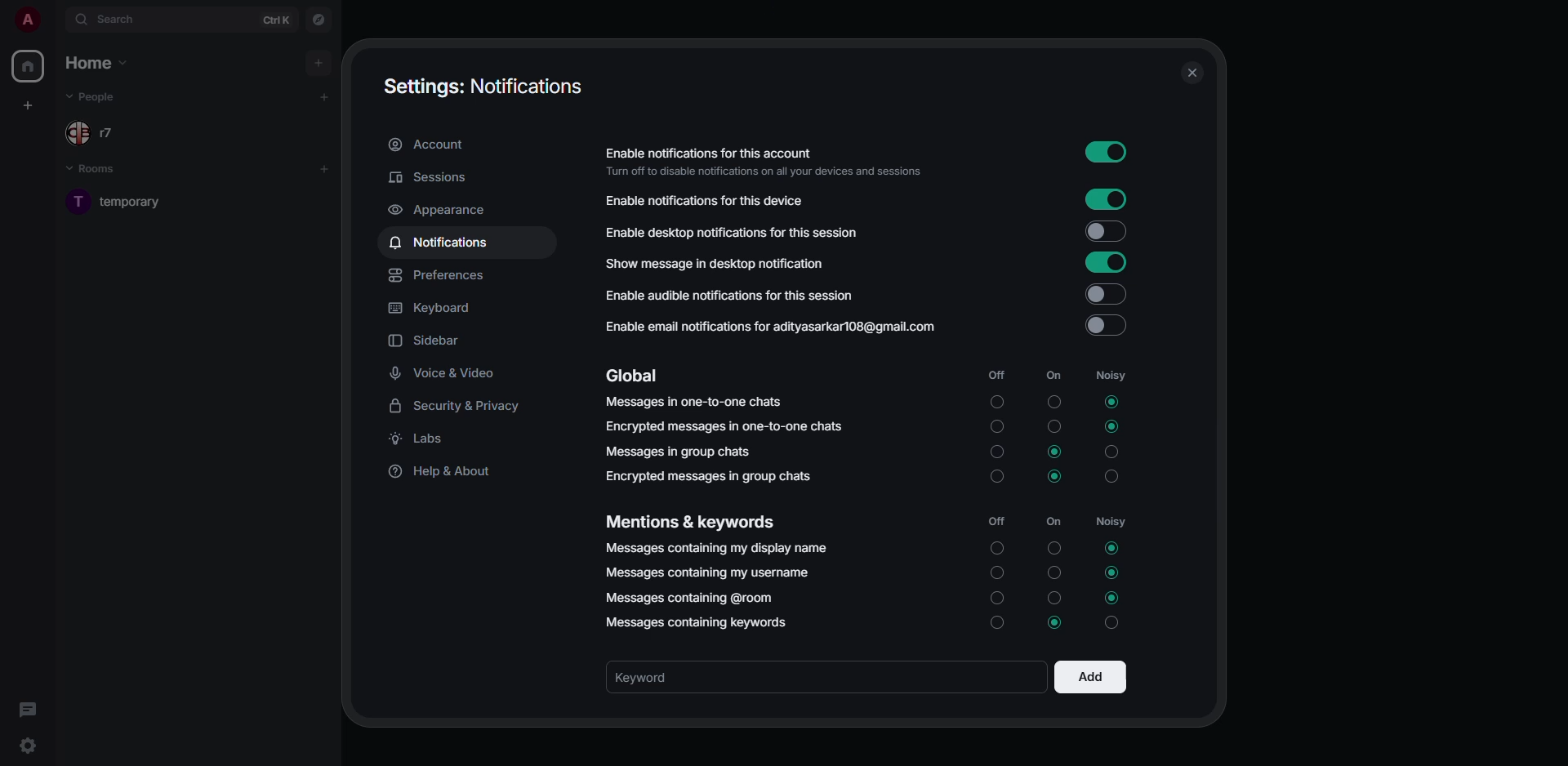 Image resolution: width=1568 pixels, height=766 pixels. Describe the element at coordinates (996, 577) in the screenshot. I see `turn on` at that location.